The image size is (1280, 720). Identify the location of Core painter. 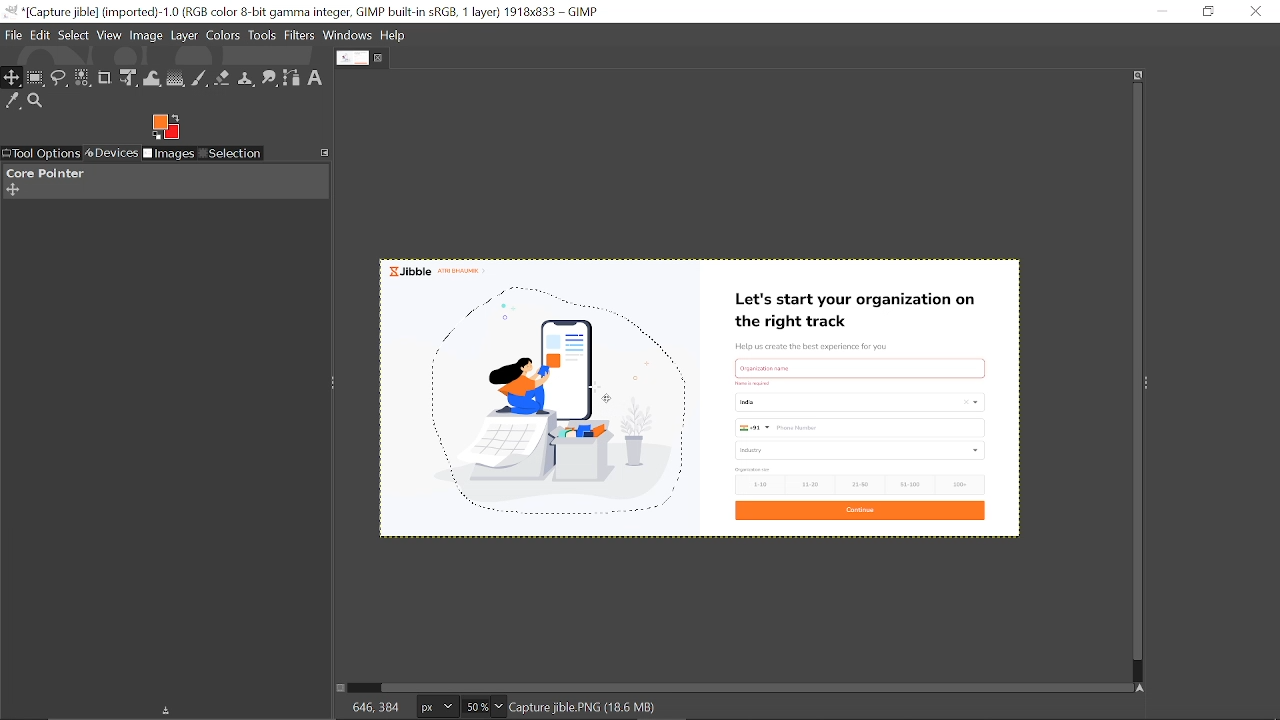
(43, 173).